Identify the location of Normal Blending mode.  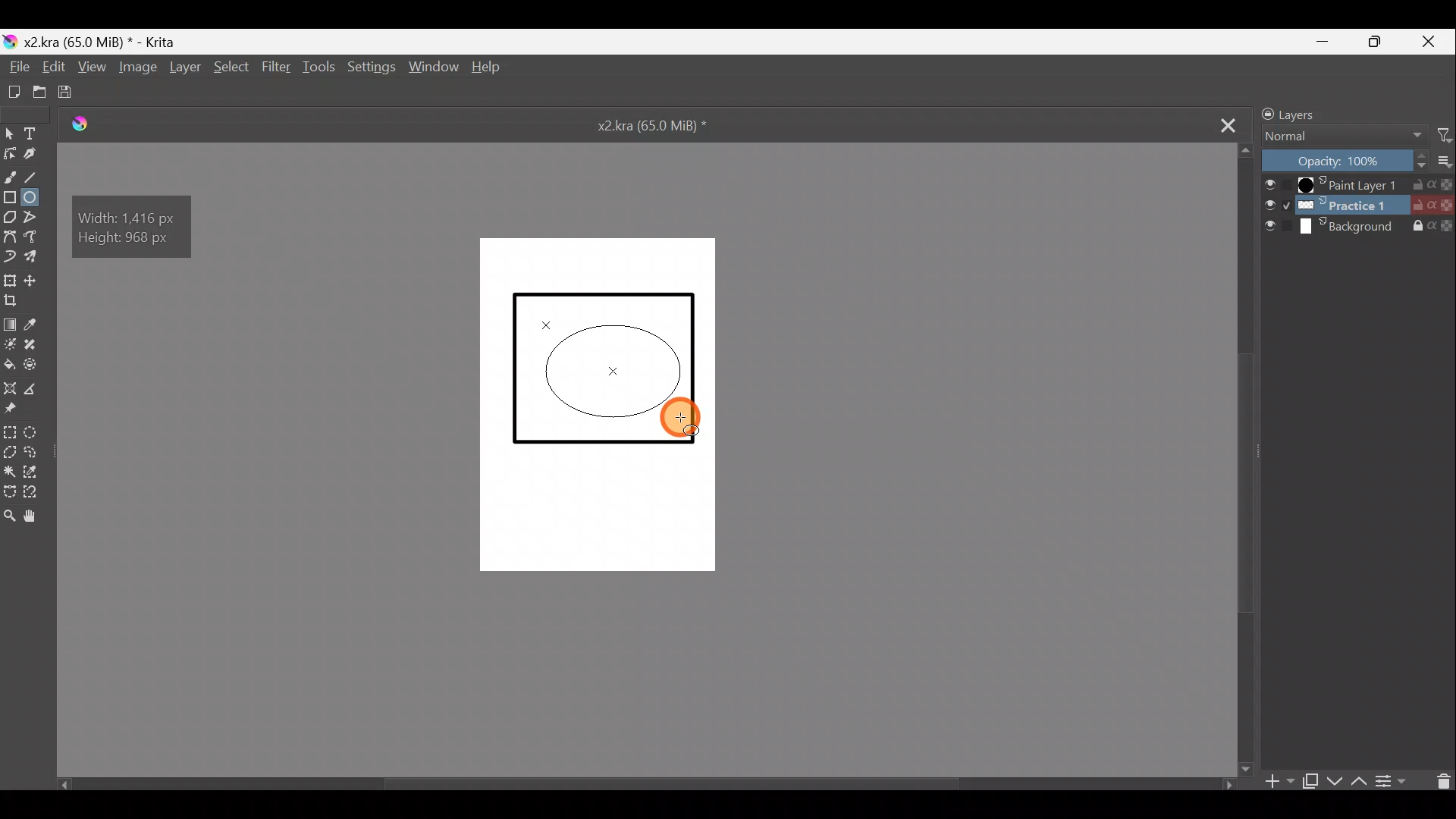
(1343, 136).